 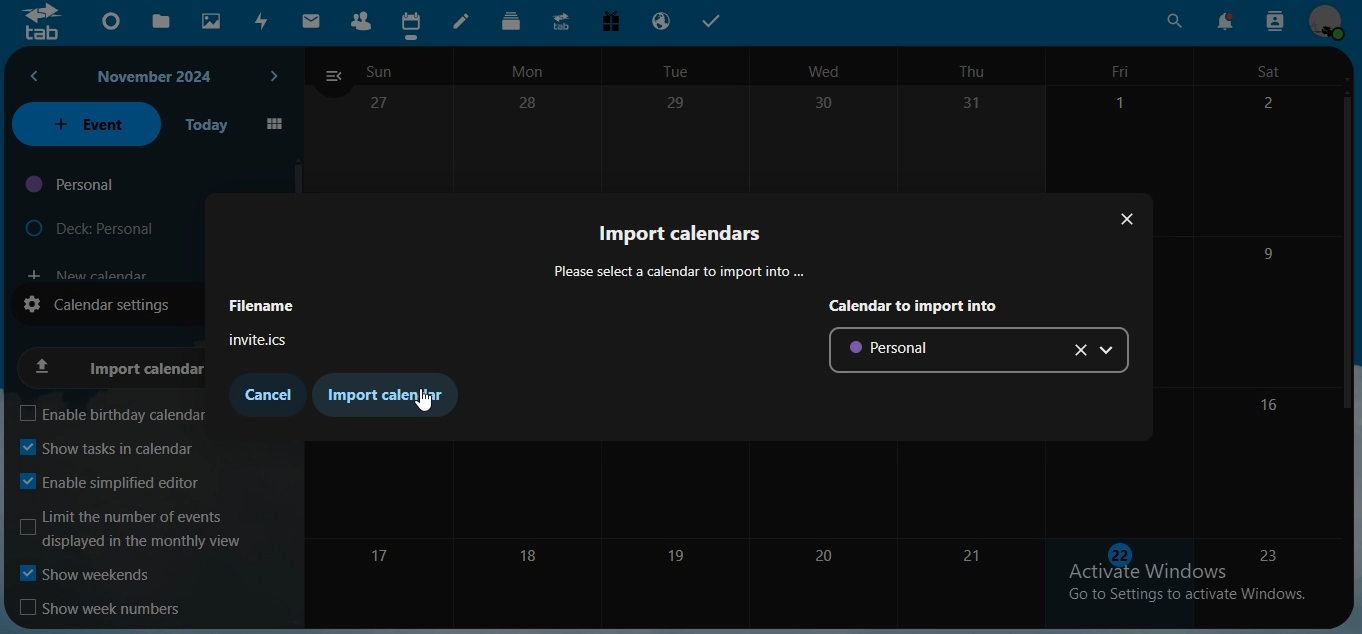 What do you see at coordinates (333, 78) in the screenshot?
I see `close navigation` at bounding box center [333, 78].